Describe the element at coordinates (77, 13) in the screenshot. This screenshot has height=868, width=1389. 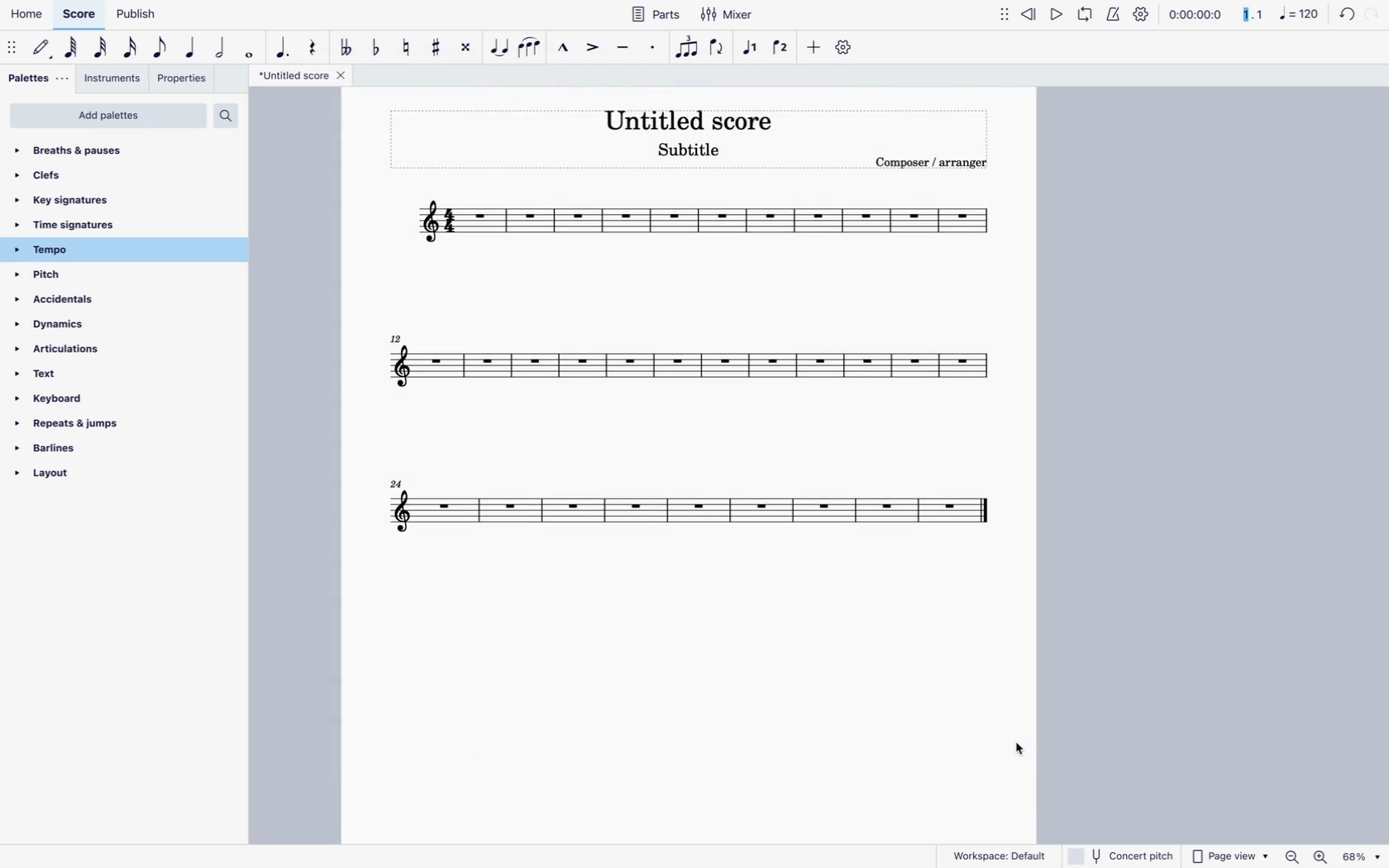
I see `Score` at that location.